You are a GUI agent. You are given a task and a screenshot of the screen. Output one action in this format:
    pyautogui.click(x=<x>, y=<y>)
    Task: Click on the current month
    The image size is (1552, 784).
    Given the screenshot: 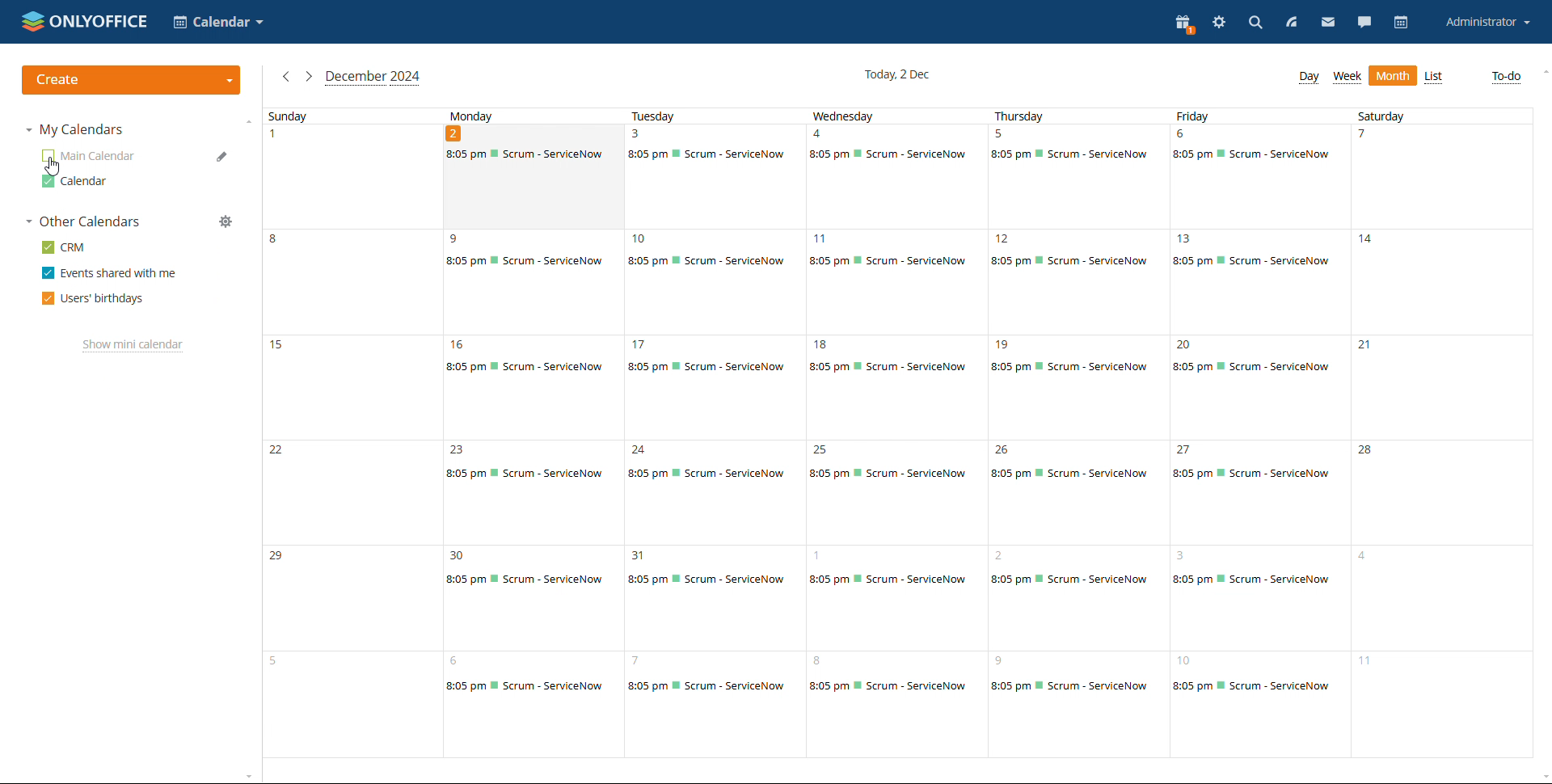 What is the action you would take?
    pyautogui.click(x=373, y=77)
    